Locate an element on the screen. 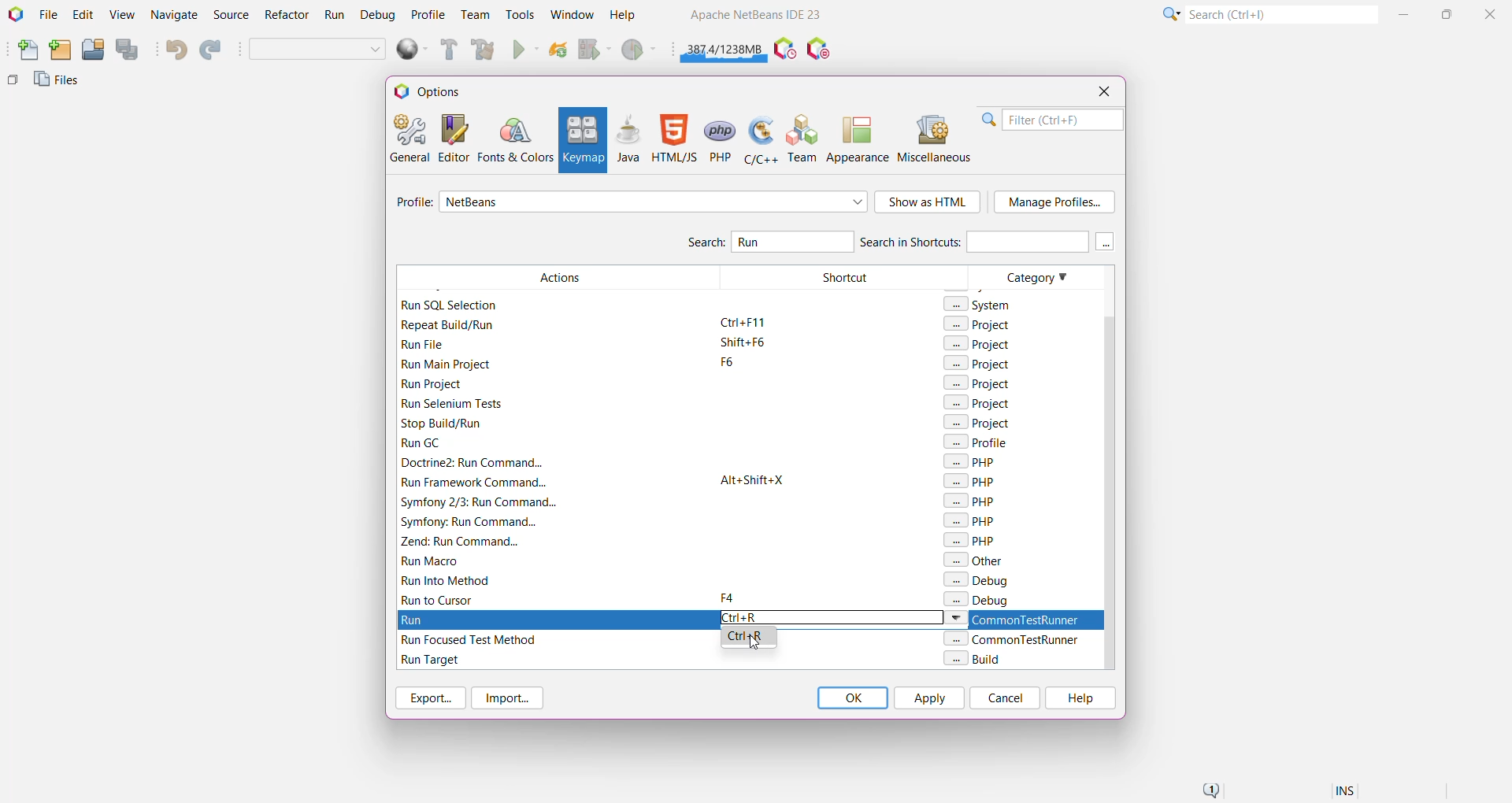 This screenshot has width=1512, height=803. Undo is located at coordinates (175, 50).